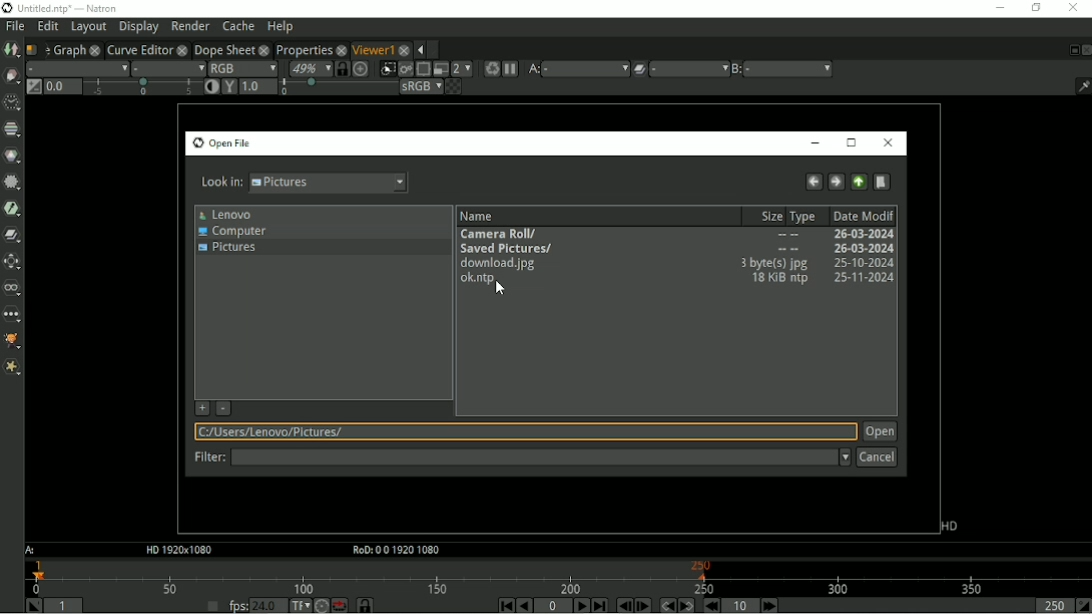 This screenshot has height=614, width=1092. Describe the element at coordinates (388, 69) in the screenshot. I see `Clip portion of image` at that location.